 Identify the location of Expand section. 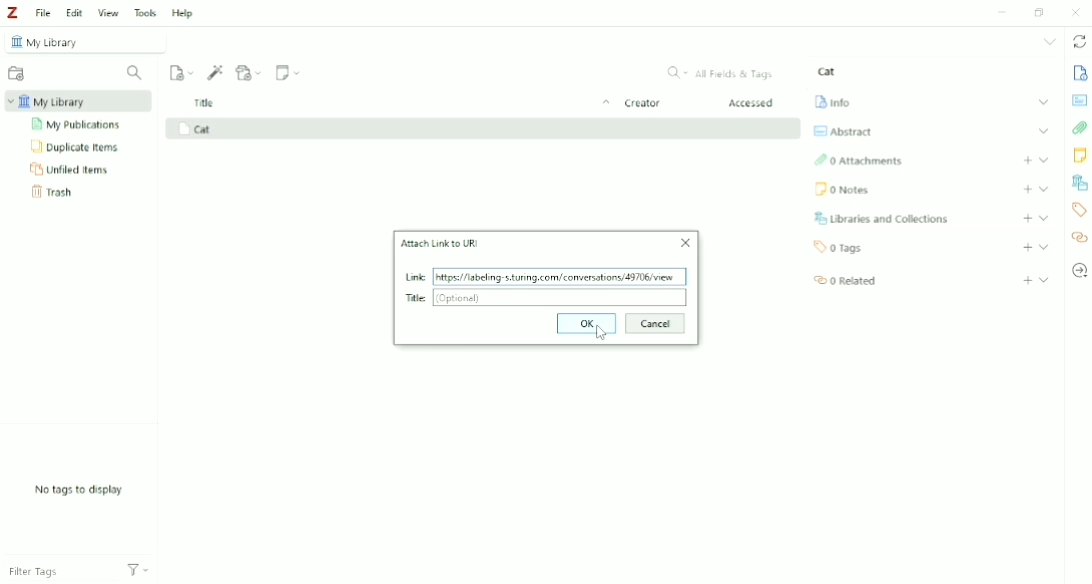
(1045, 279).